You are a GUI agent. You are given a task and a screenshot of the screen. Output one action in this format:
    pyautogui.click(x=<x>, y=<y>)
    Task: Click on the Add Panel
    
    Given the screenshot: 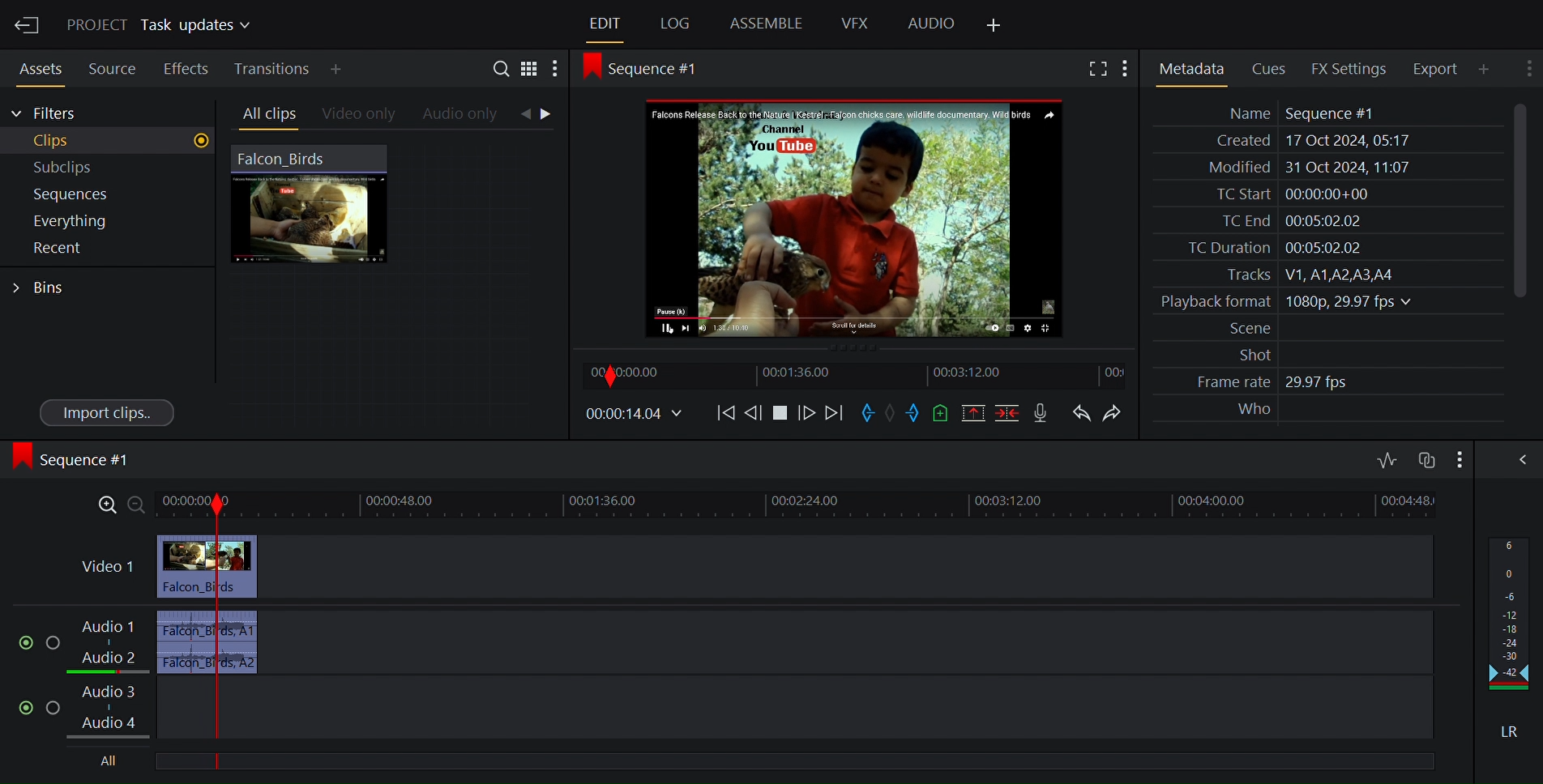 What is the action you would take?
    pyautogui.click(x=1483, y=68)
    